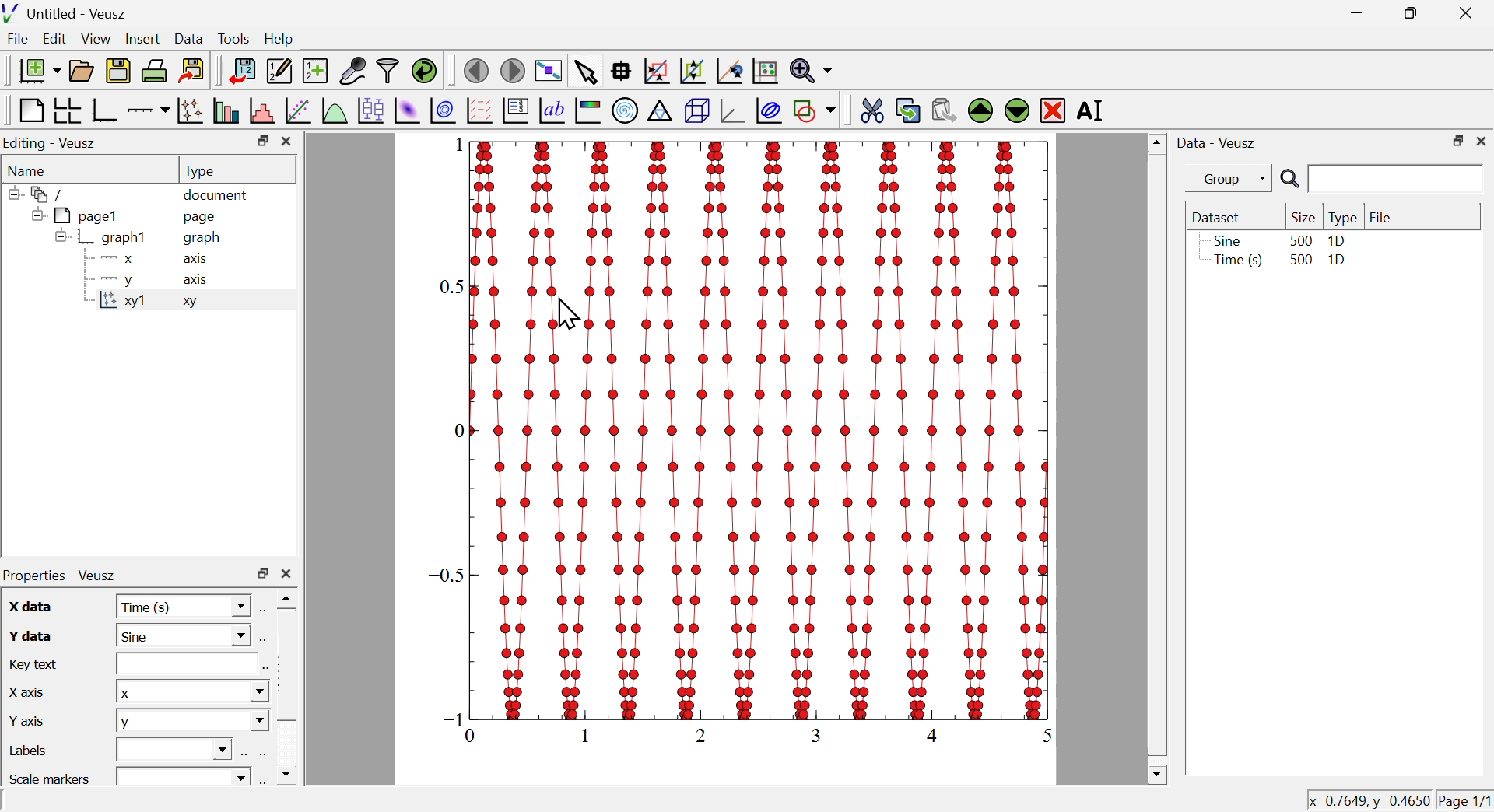 This screenshot has width=1494, height=812. What do you see at coordinates (183, 638) in the screenshot?
I see `sine` at bounding box center [183, 638].